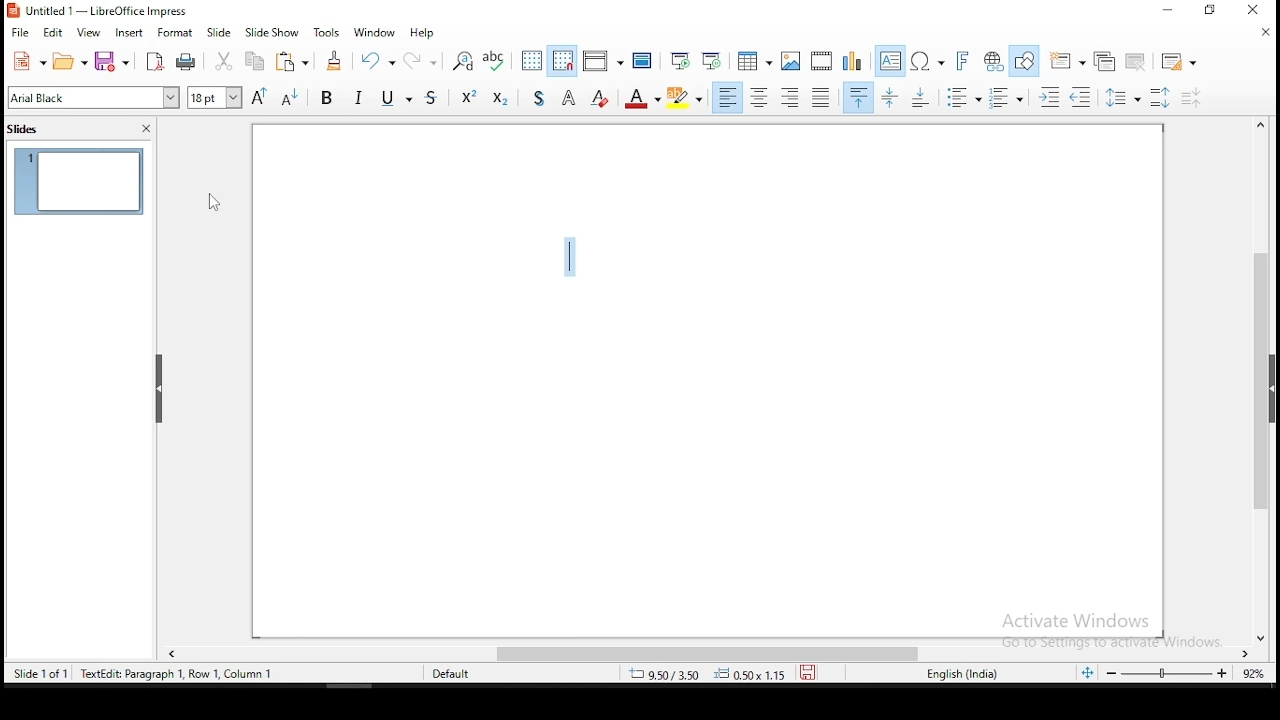 The height and width of the screenshot is (720, 1280). Describe the element at coordinates (600, 96) in the screenshot. I see `Erase style` at that location.